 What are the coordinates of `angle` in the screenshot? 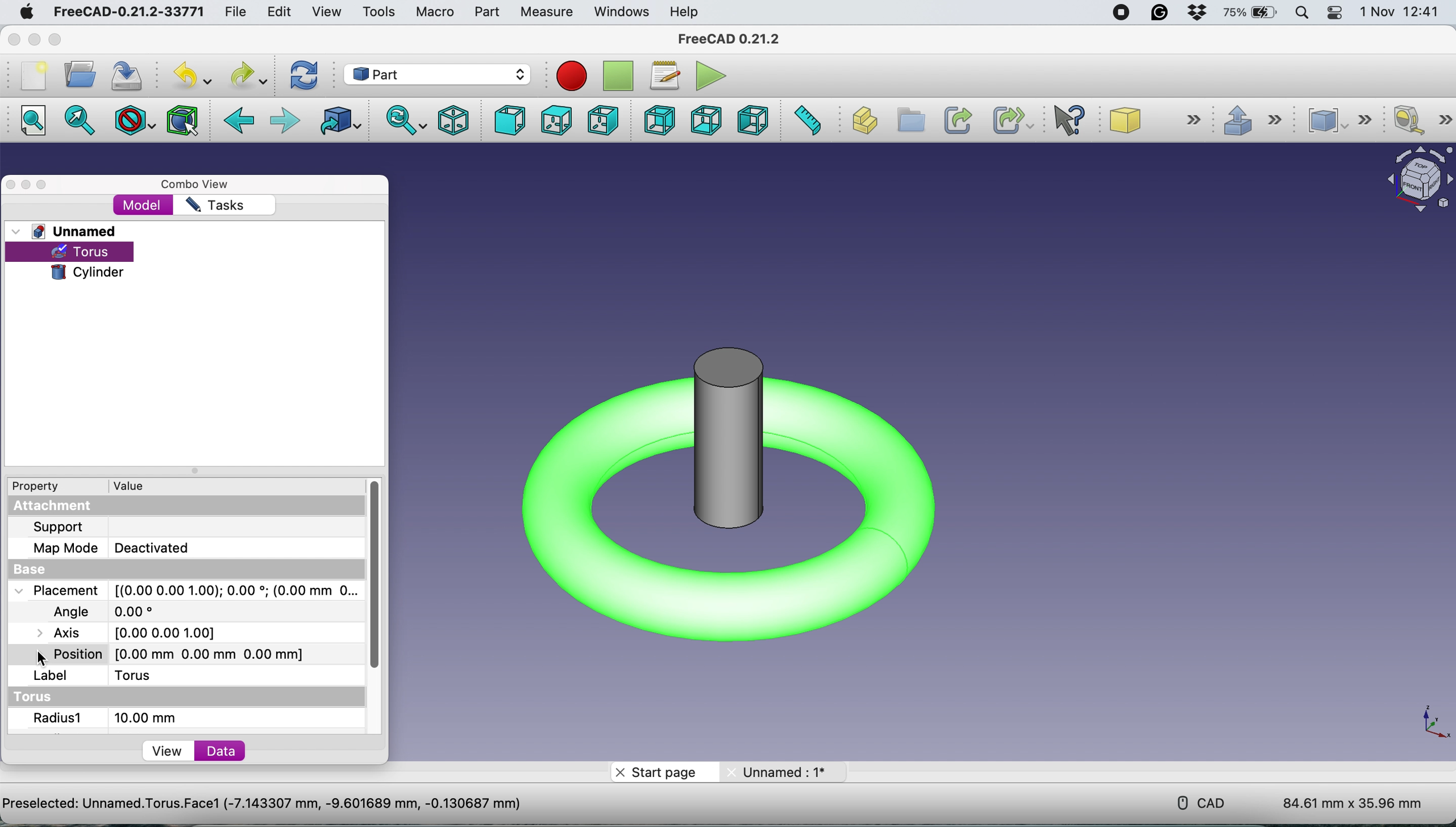 It's located at (104, 609).